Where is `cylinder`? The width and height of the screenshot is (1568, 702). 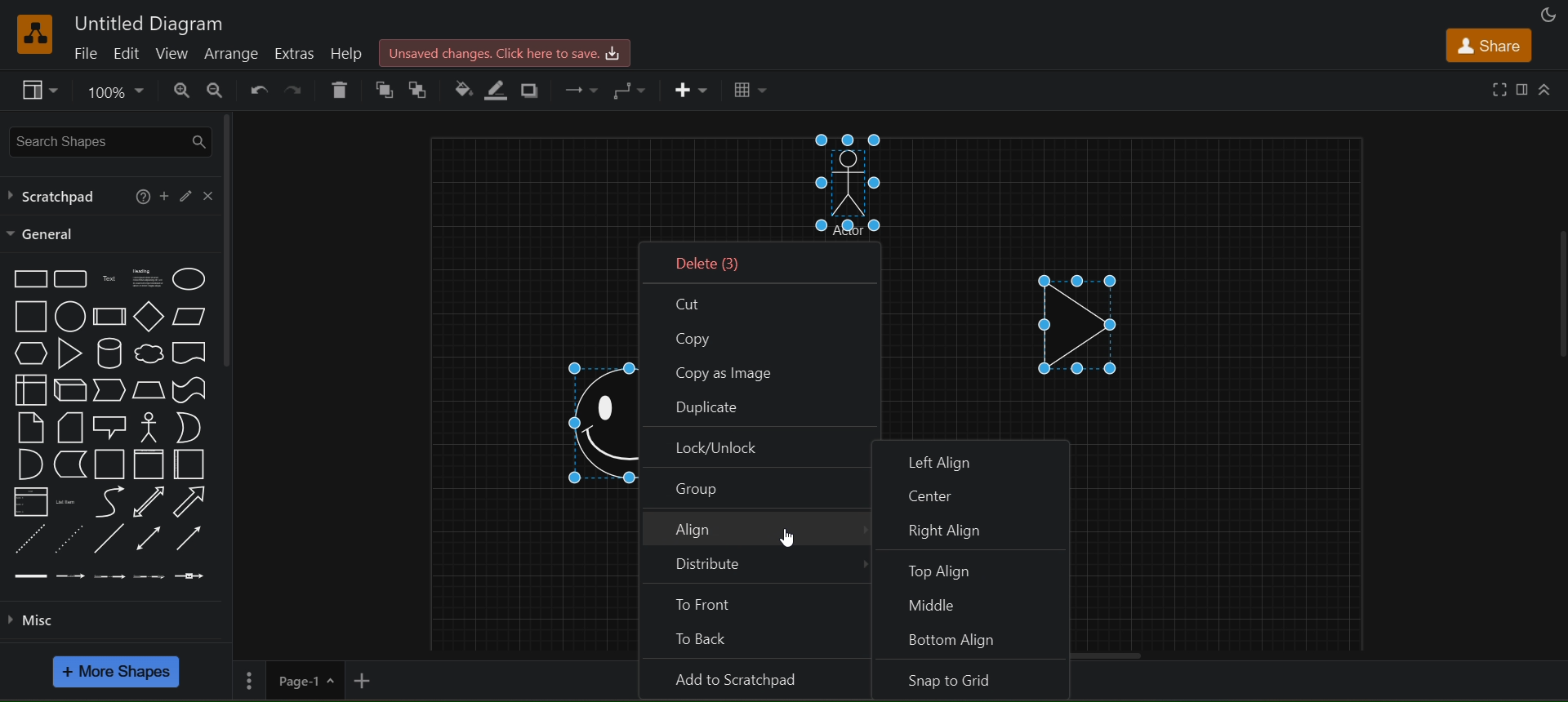 cylinder is located at coordinates (109, 352).